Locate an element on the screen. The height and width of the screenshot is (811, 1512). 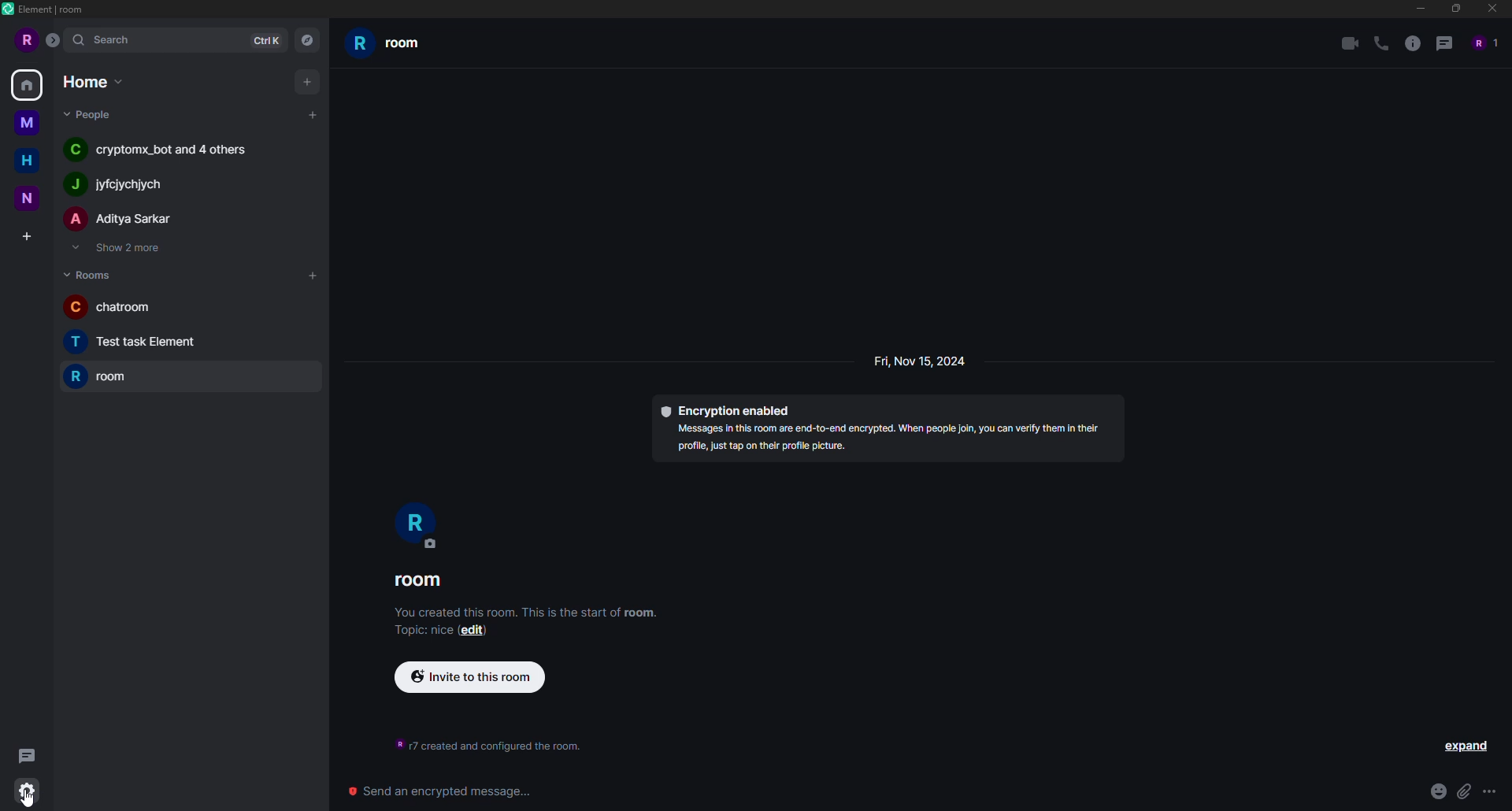
J iyfcjychiych is located at coordinates (127, 189).